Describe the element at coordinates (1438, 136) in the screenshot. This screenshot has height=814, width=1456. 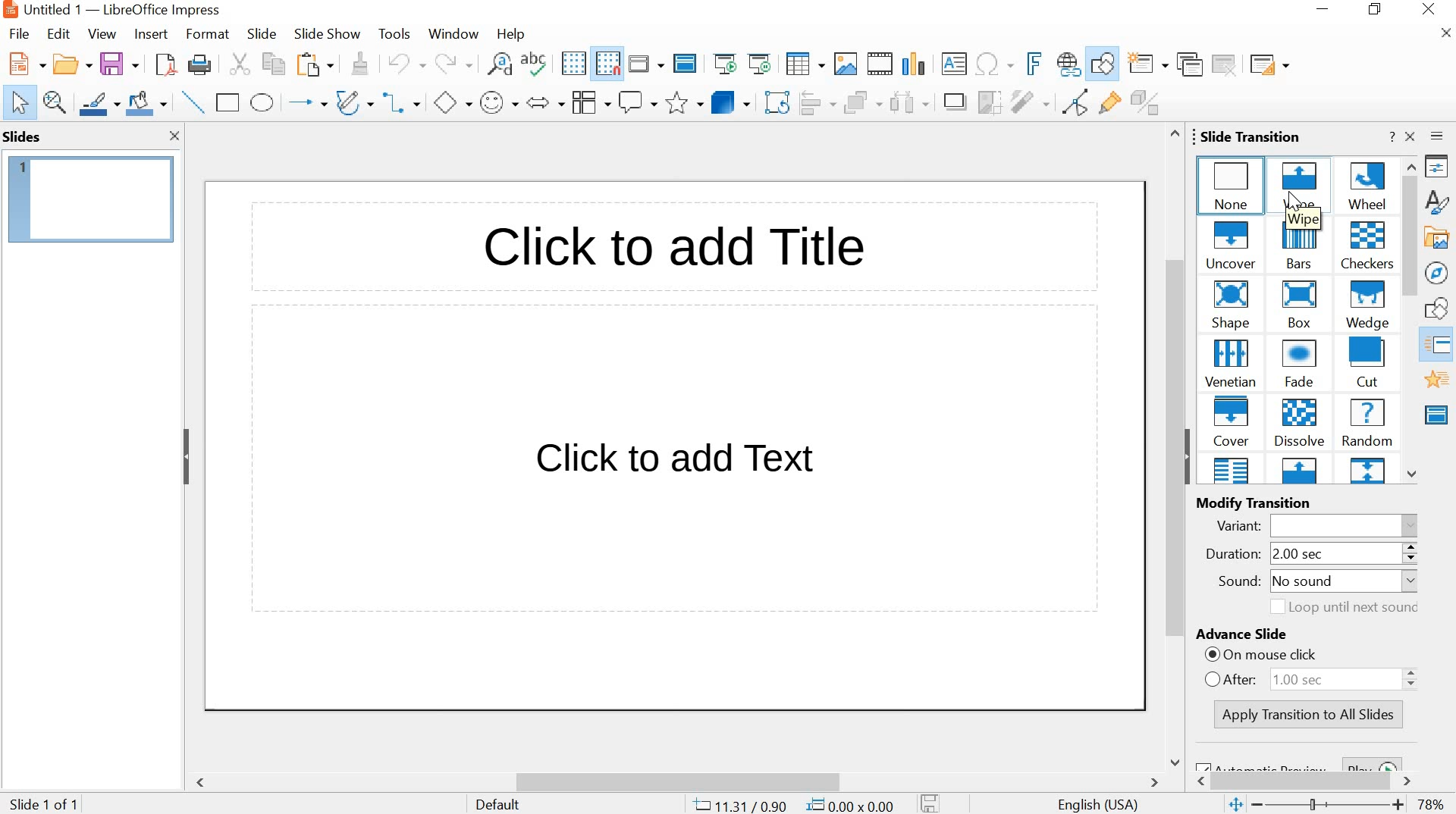
I see `SIDEBAR SETTINGS` at that location.